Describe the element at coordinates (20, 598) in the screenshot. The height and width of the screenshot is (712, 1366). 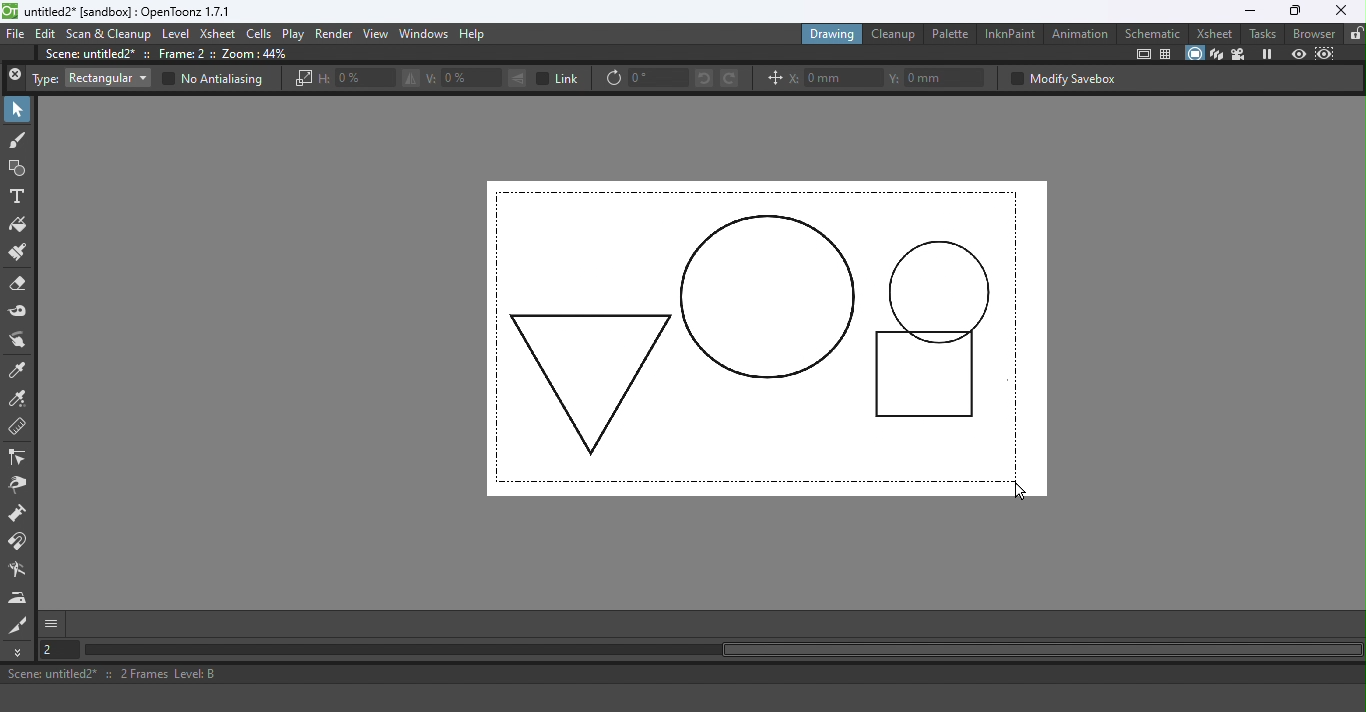
I see `Iron tool` at that location.